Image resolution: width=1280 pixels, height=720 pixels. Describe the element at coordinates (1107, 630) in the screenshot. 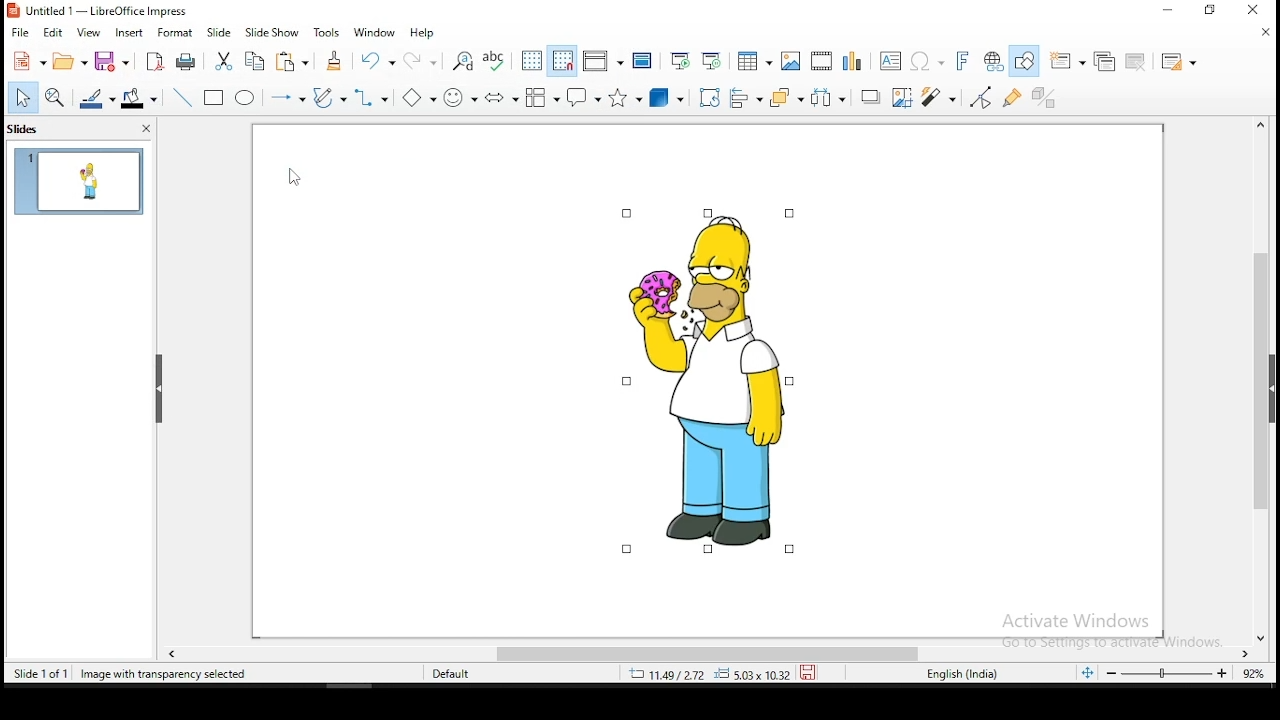

I see `activate windows` at that location.